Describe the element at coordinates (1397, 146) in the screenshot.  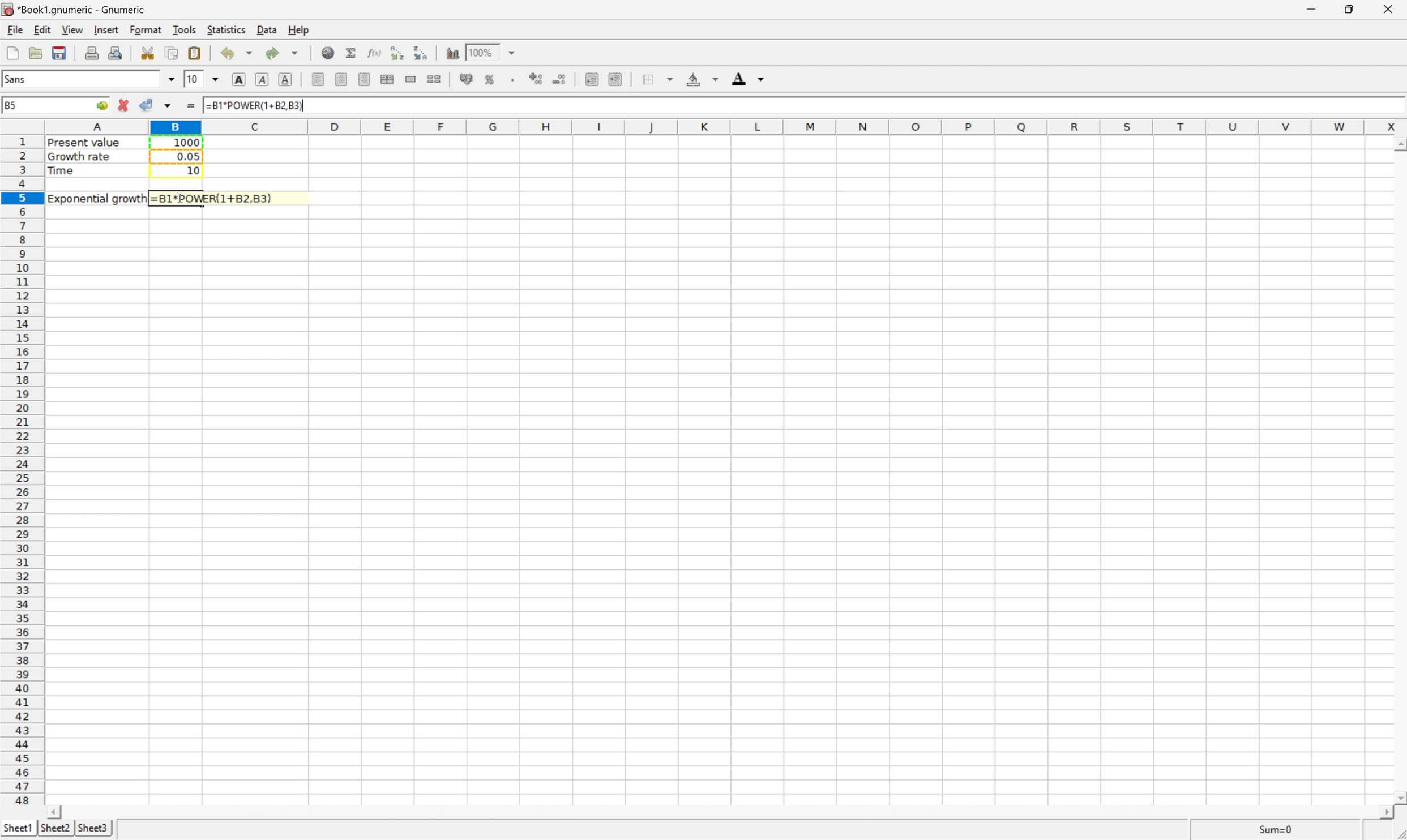
I see `Scroll Up` at that location.